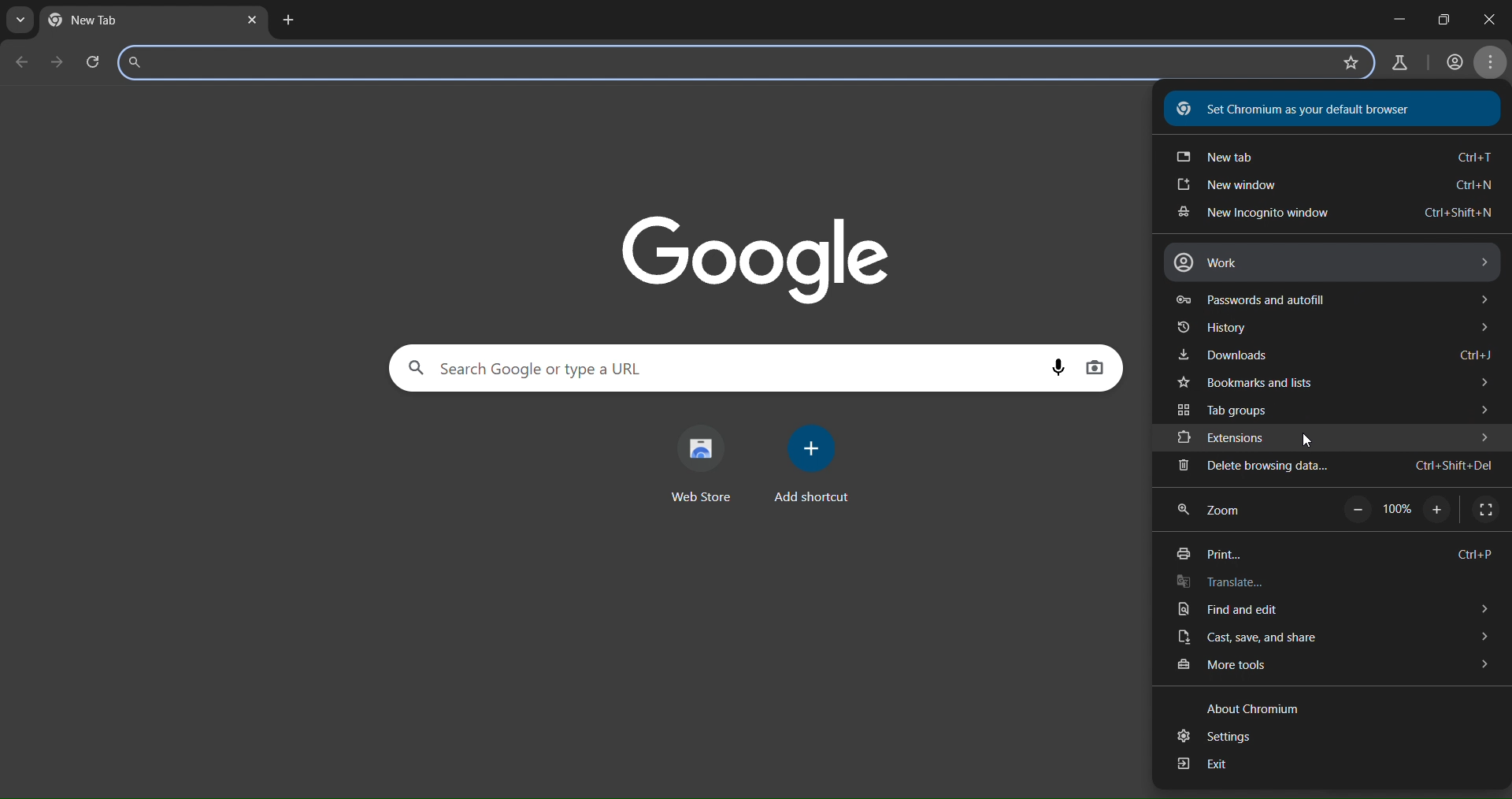 The image size is (1512, 799). I want to click on cursor, so click(1306, 441).